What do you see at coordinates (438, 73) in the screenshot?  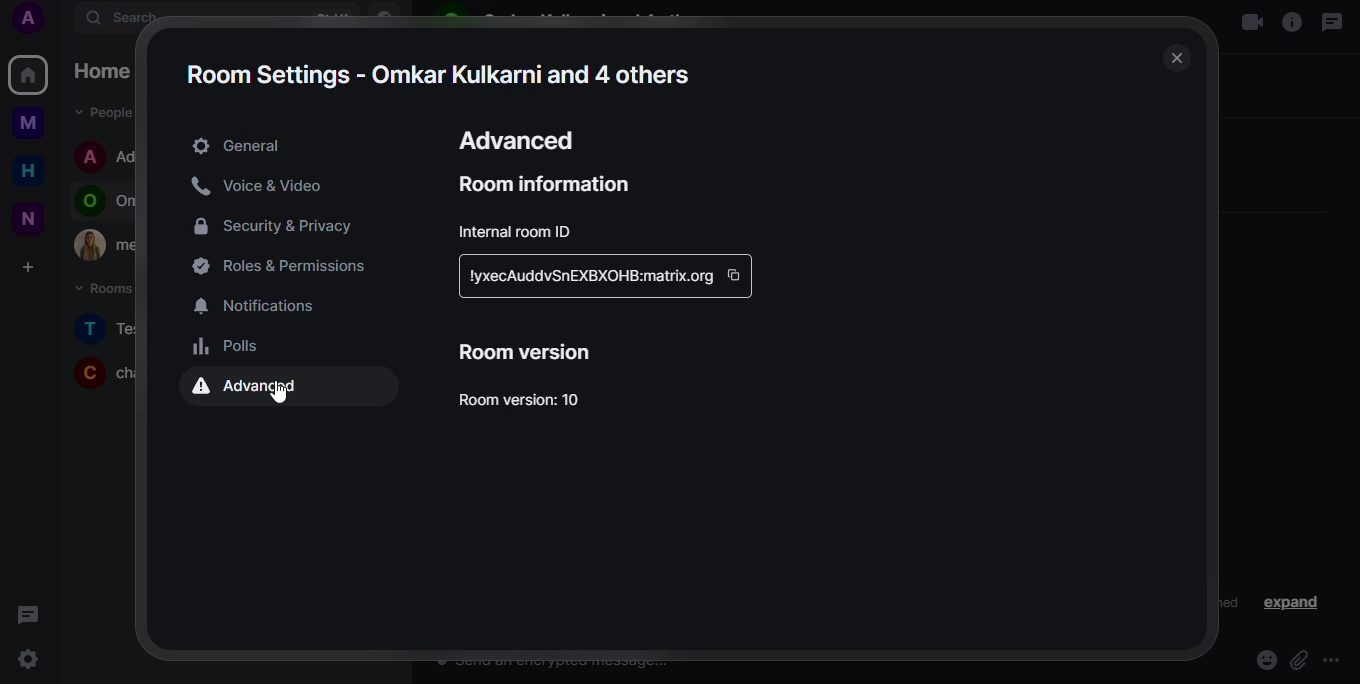 I see `room settings` at bounding box center [438, 73].